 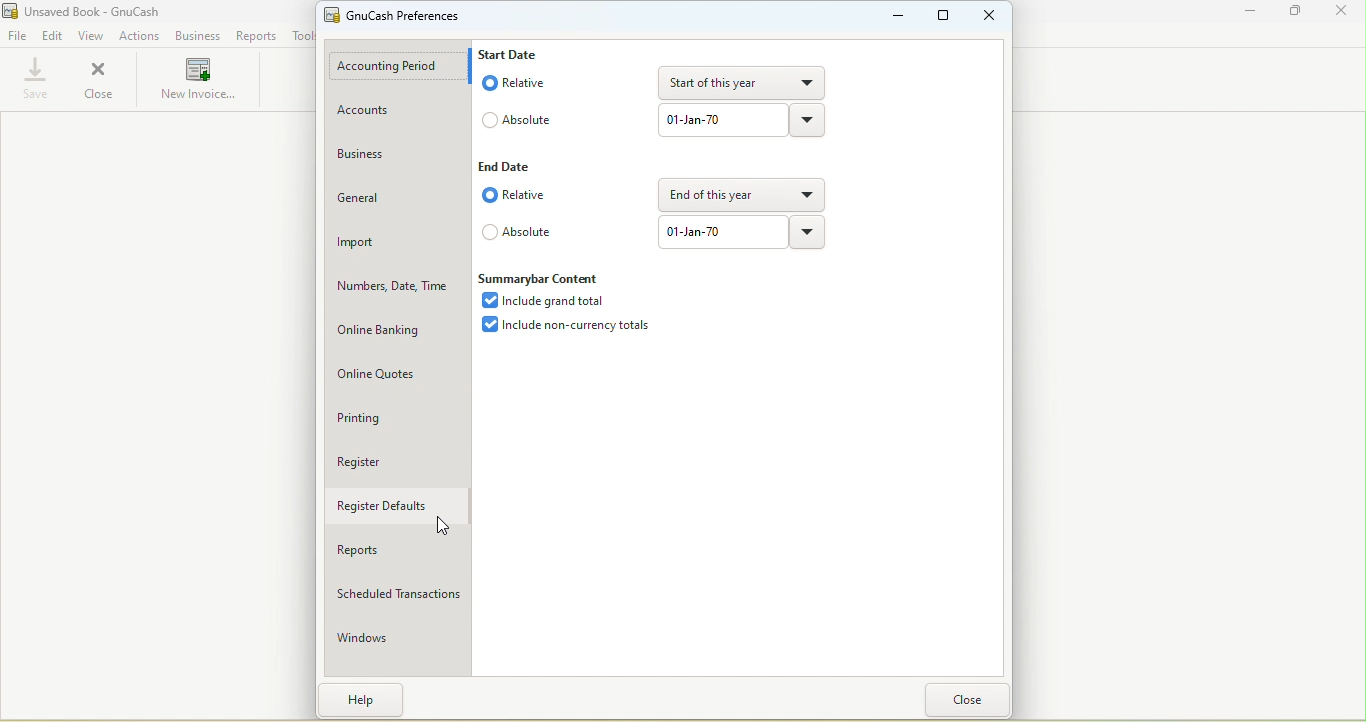 What do you see at coordinates (961, 700) in the screenshot?
I see `Close` at bounding box center [961, 700].